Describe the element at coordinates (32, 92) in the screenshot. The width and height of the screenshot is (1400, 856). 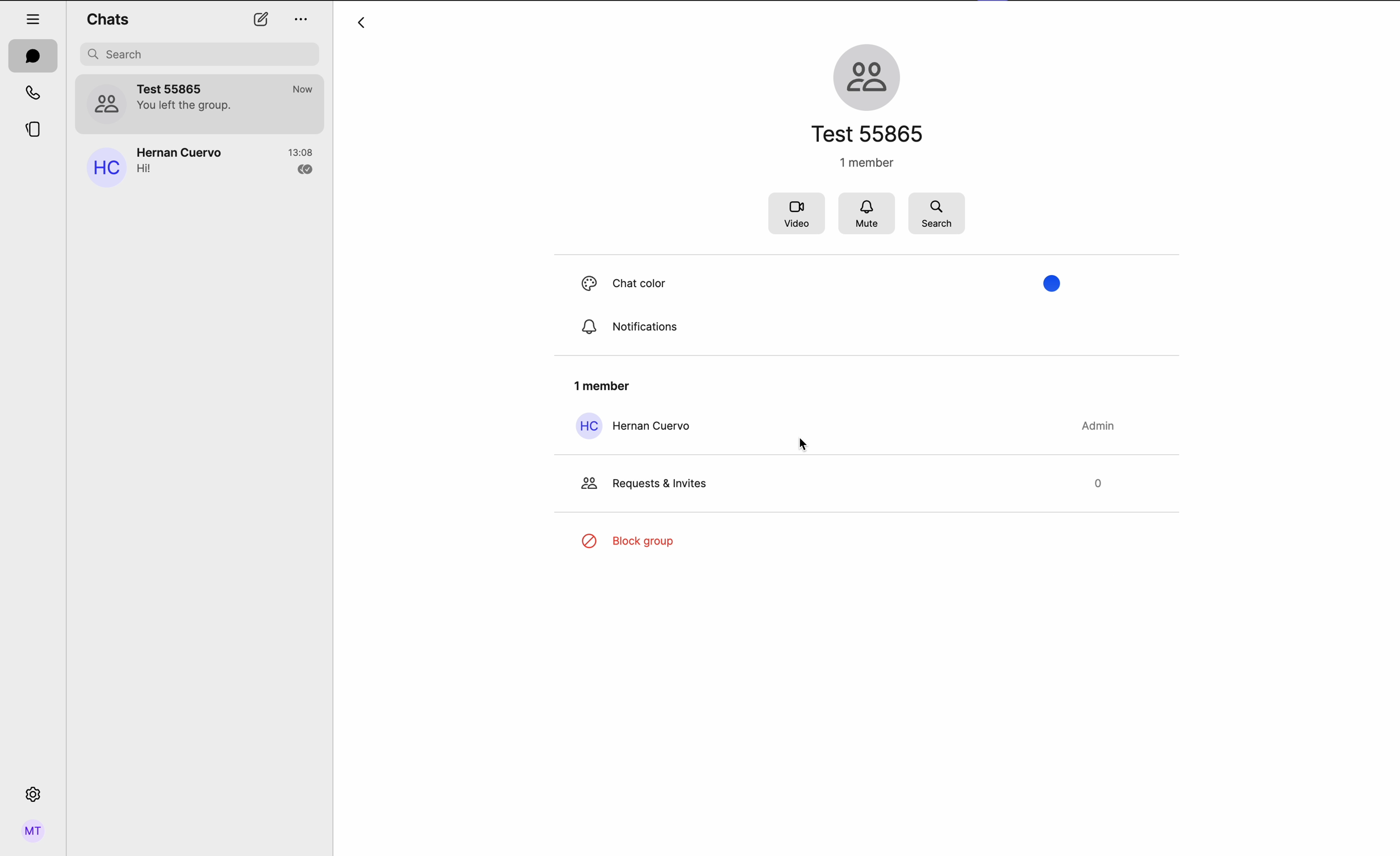
I see `calls` at that location.